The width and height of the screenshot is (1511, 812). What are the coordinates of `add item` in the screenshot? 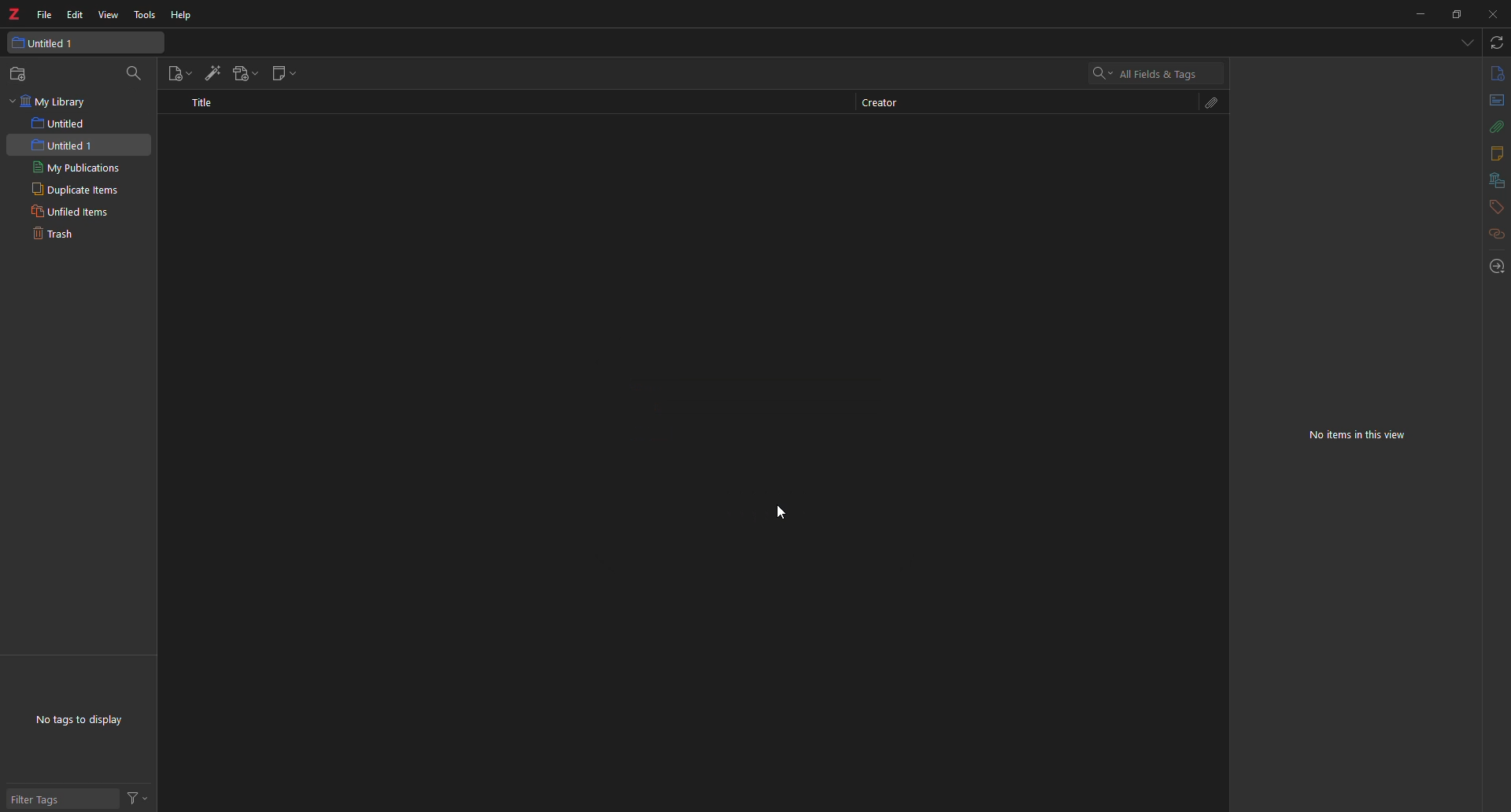 It's located at (214, 72).